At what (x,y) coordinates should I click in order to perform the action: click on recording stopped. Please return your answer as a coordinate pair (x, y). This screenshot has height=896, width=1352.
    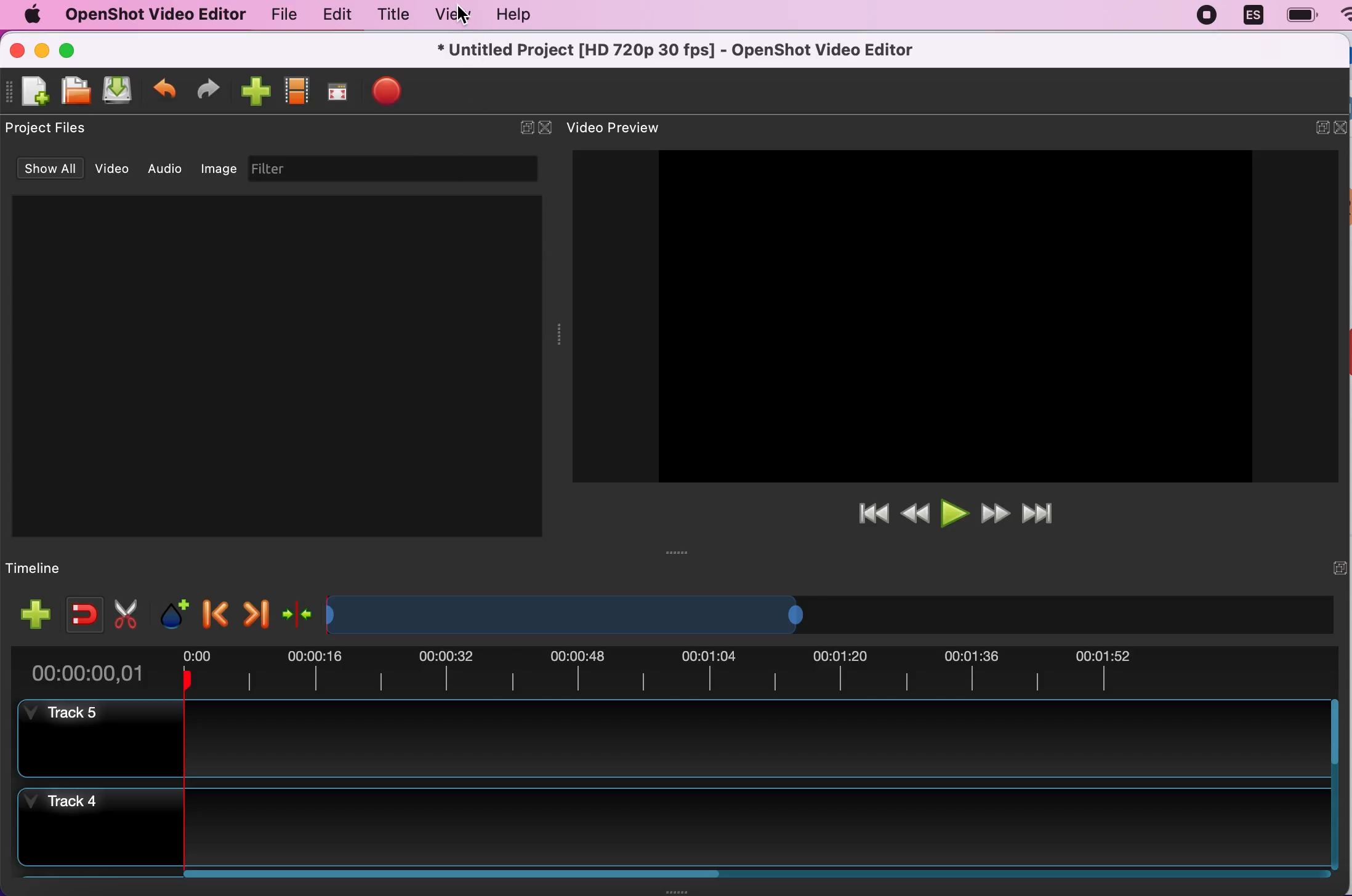
    Looking at the image, I should click on (1202, 15).